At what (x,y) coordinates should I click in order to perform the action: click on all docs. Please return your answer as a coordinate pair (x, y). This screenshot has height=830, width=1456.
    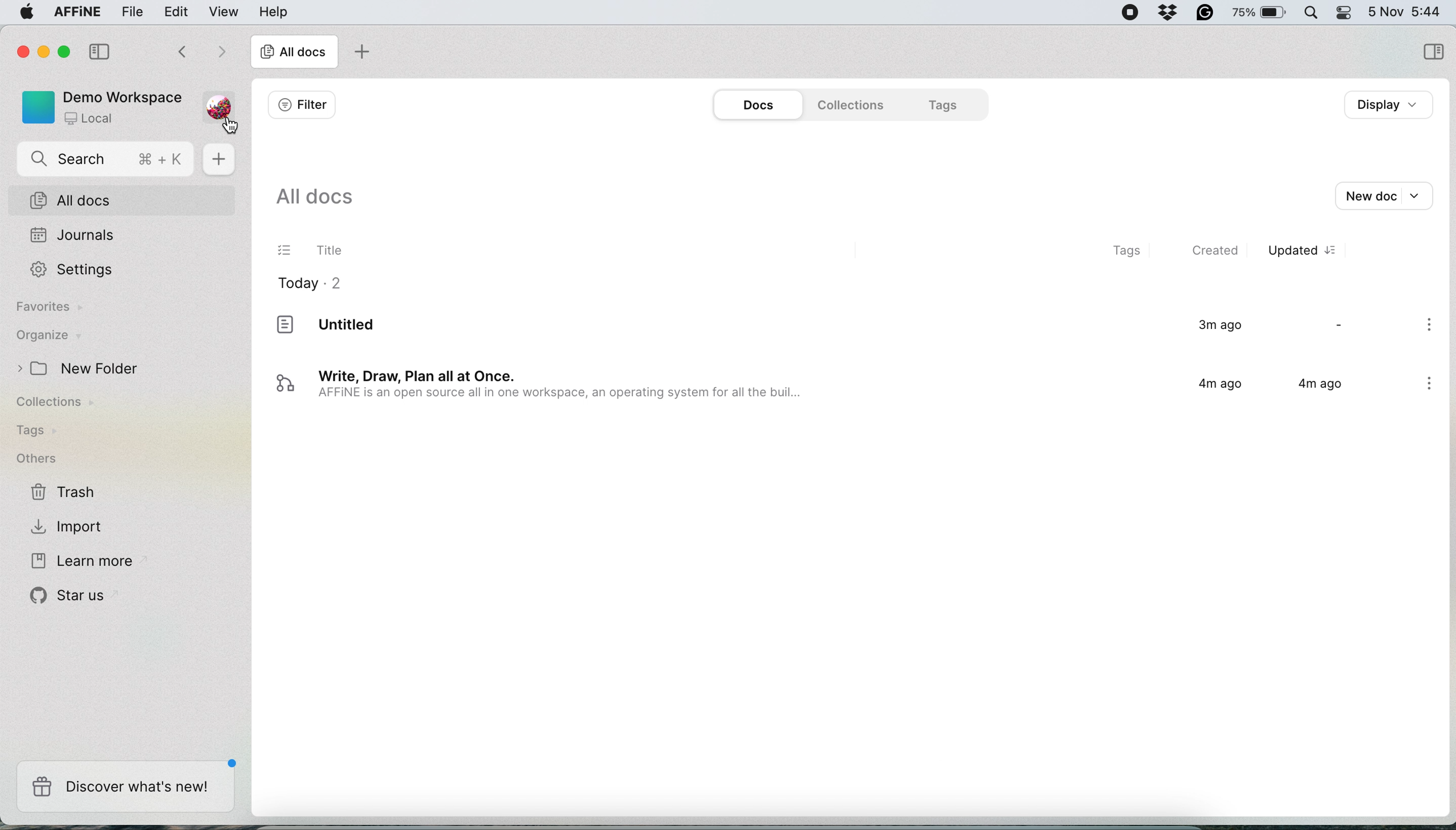
    Looking at the image, I should click on (127, 201).